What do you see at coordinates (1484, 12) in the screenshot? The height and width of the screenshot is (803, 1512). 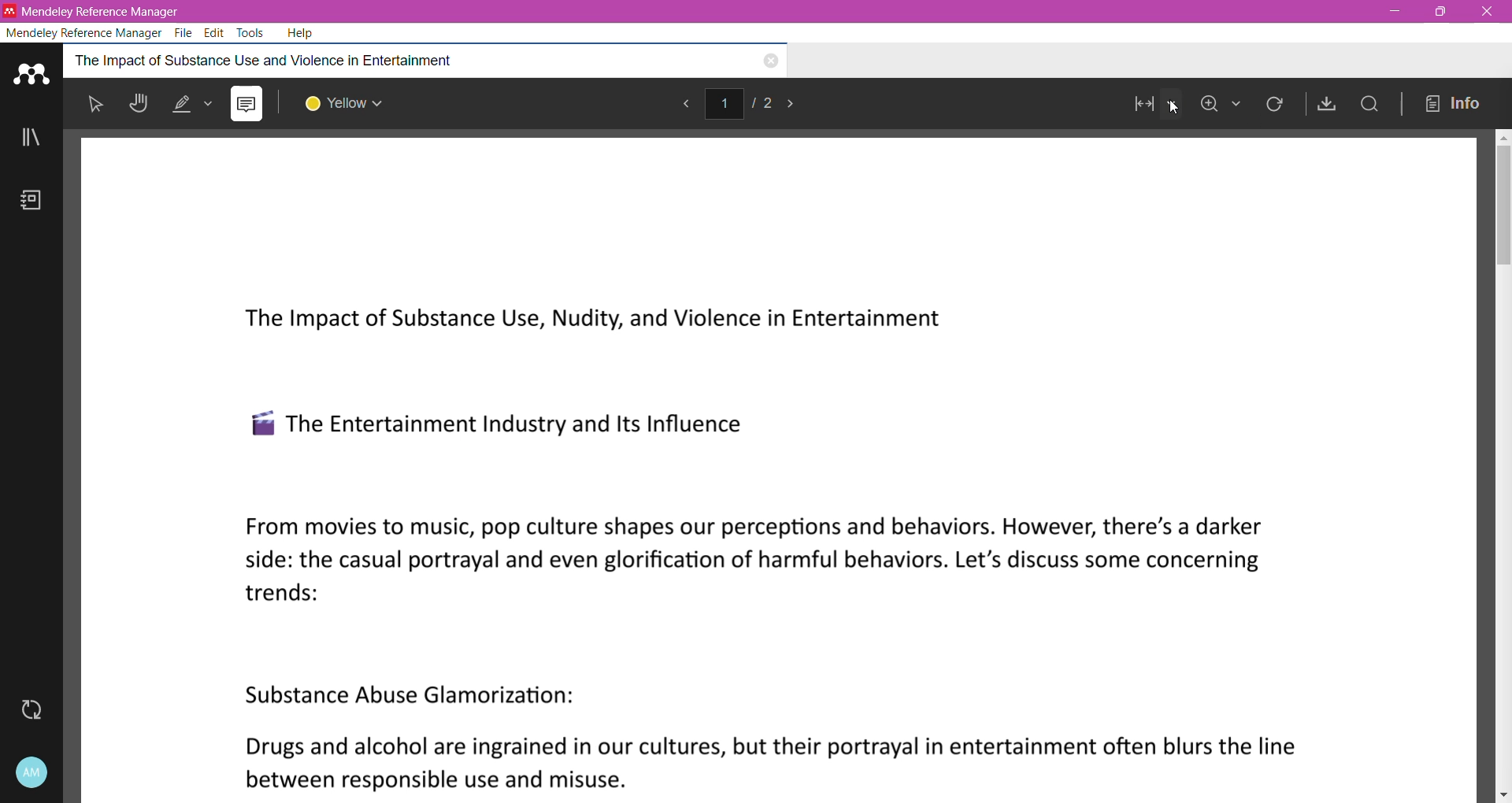 I see `Close` at bounding box center [1484, 12].